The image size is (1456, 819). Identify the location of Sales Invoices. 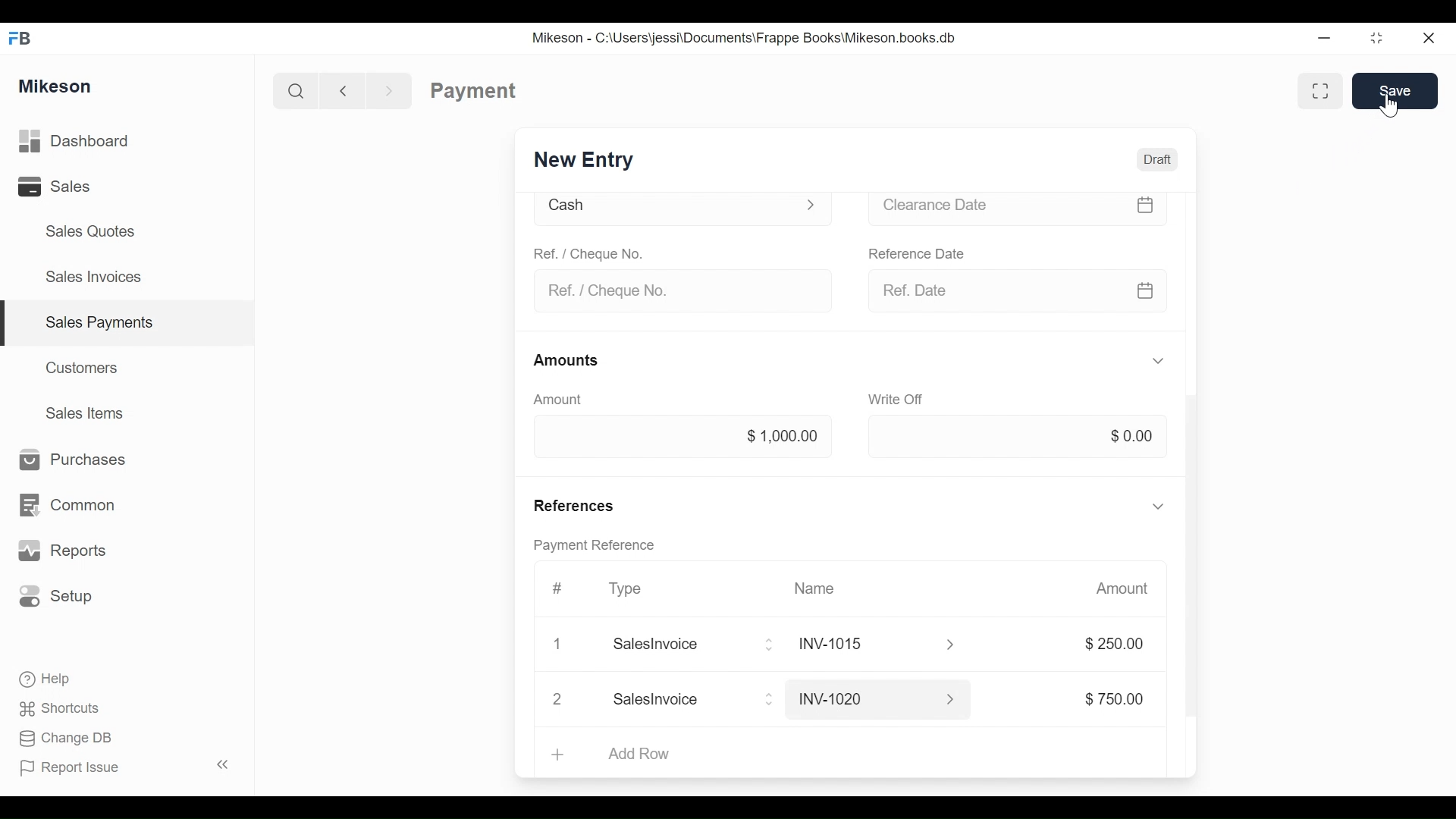
(88, 278).